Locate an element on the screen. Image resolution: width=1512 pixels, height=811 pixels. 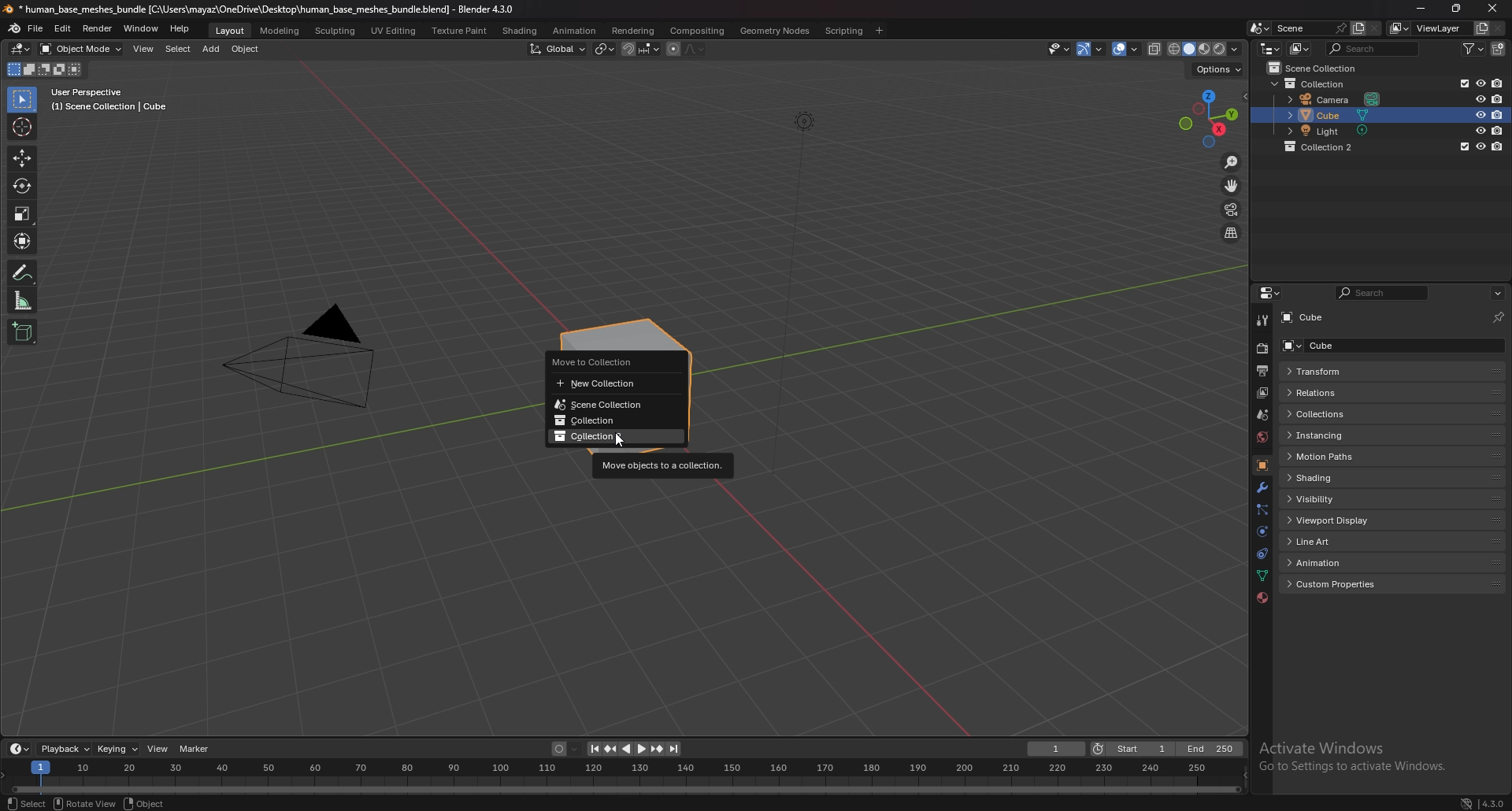
delete scene is located at coordinates (1375, 28).